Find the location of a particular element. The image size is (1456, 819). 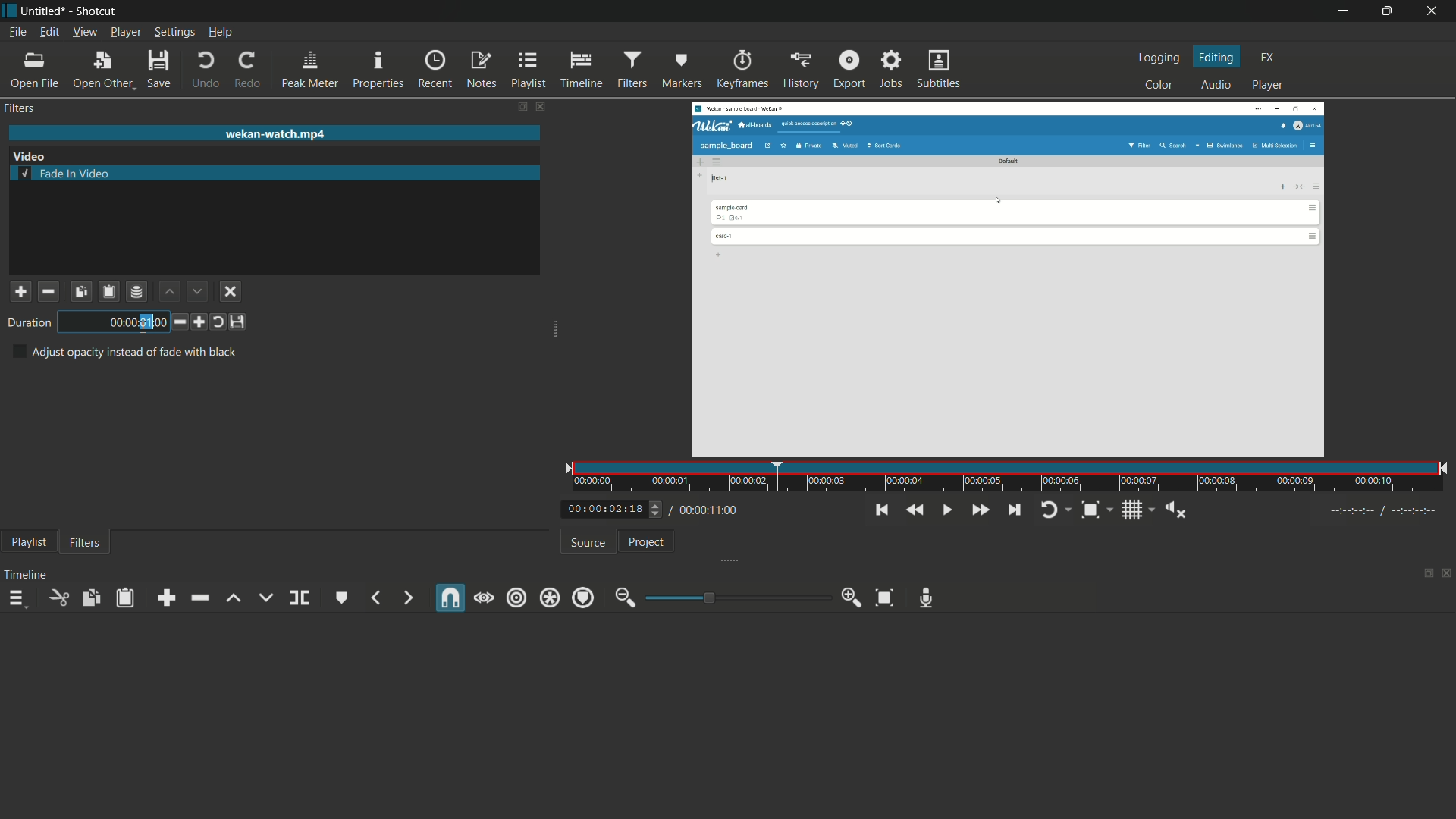

In point is located at coordinates (1385, 512).